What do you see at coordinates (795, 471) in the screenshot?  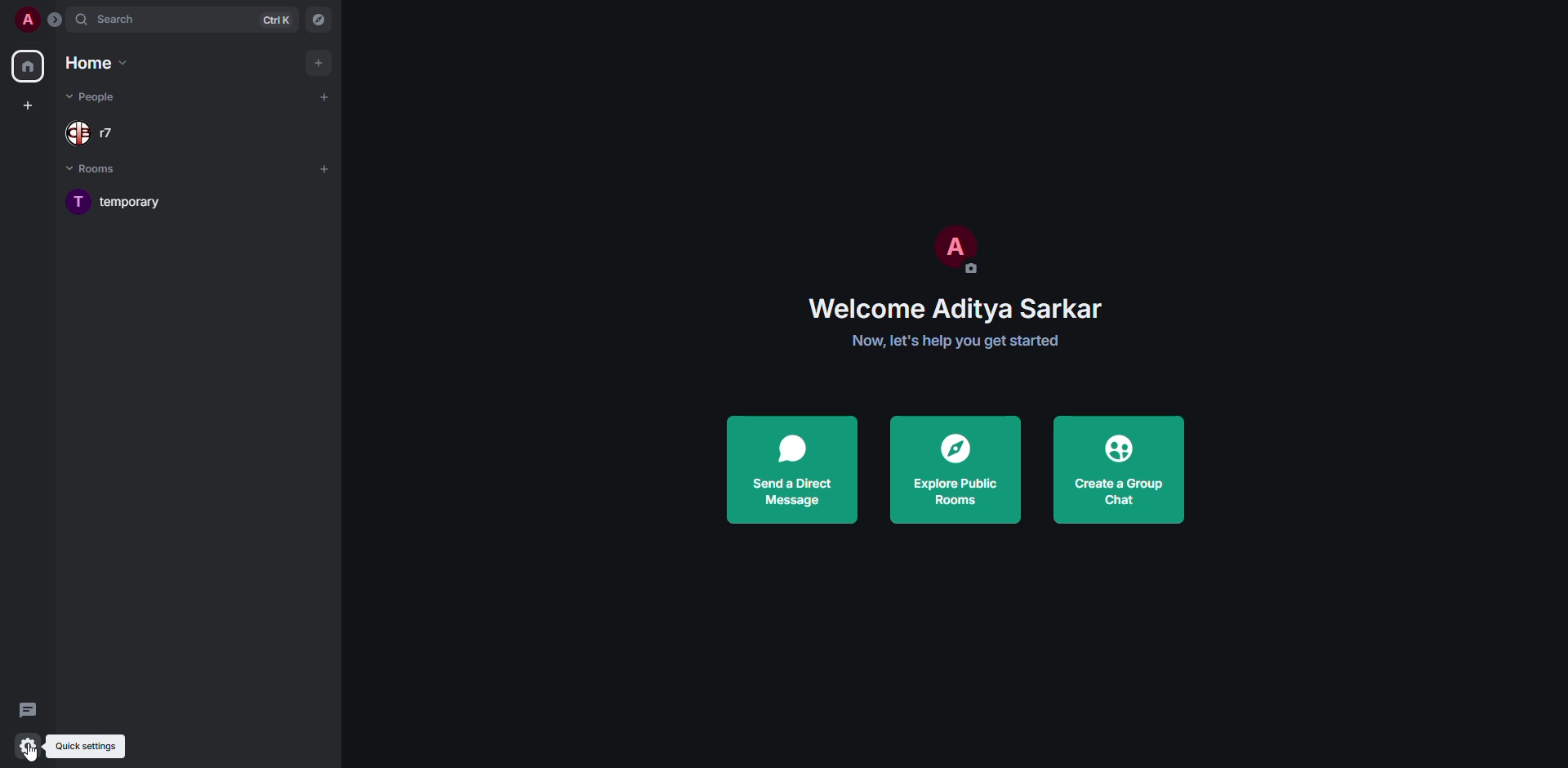 I see `send a direct message` at bounding box center [795, 471].